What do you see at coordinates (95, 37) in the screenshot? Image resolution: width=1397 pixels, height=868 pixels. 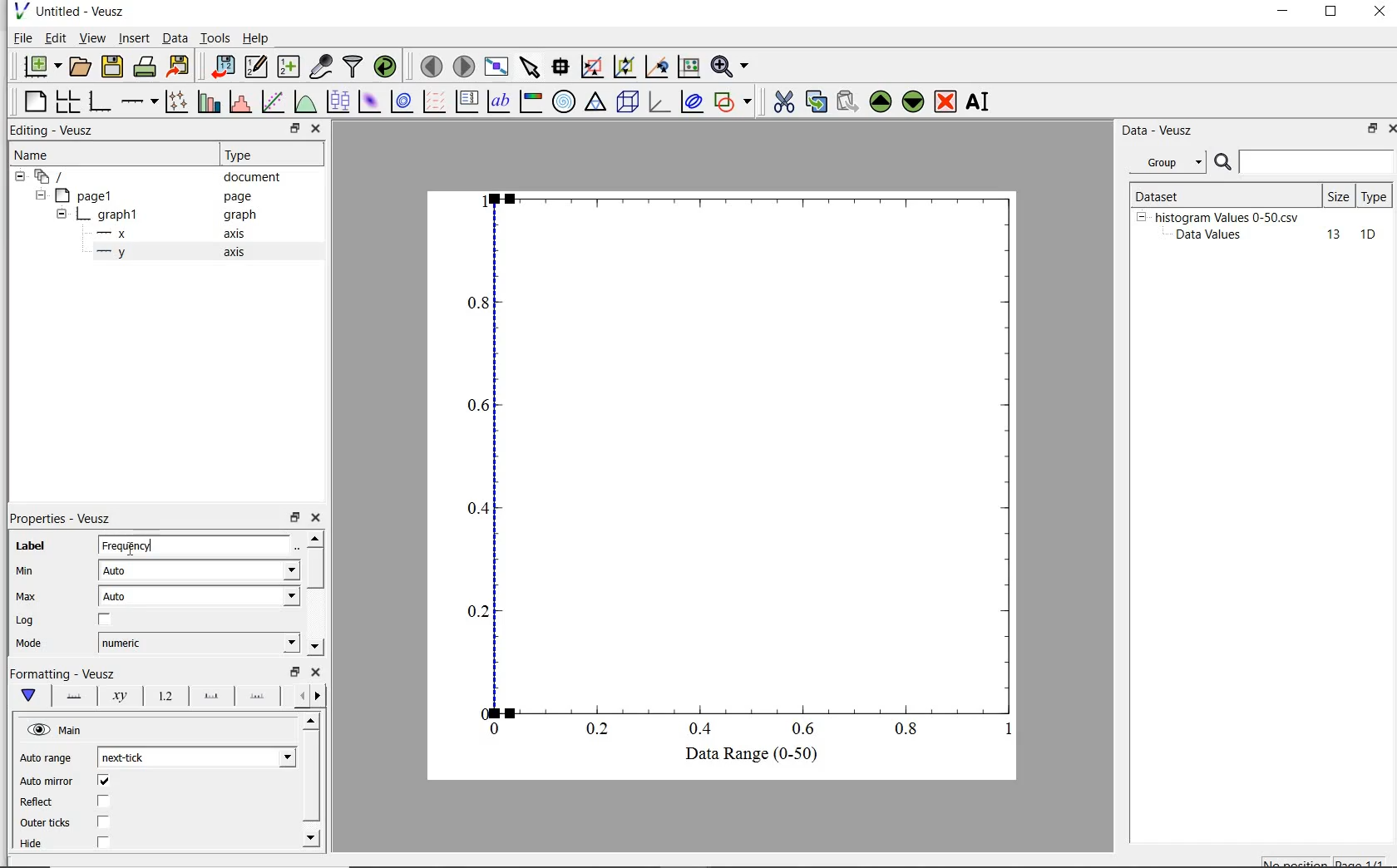 I see `view` at bounding box center [95, 37].